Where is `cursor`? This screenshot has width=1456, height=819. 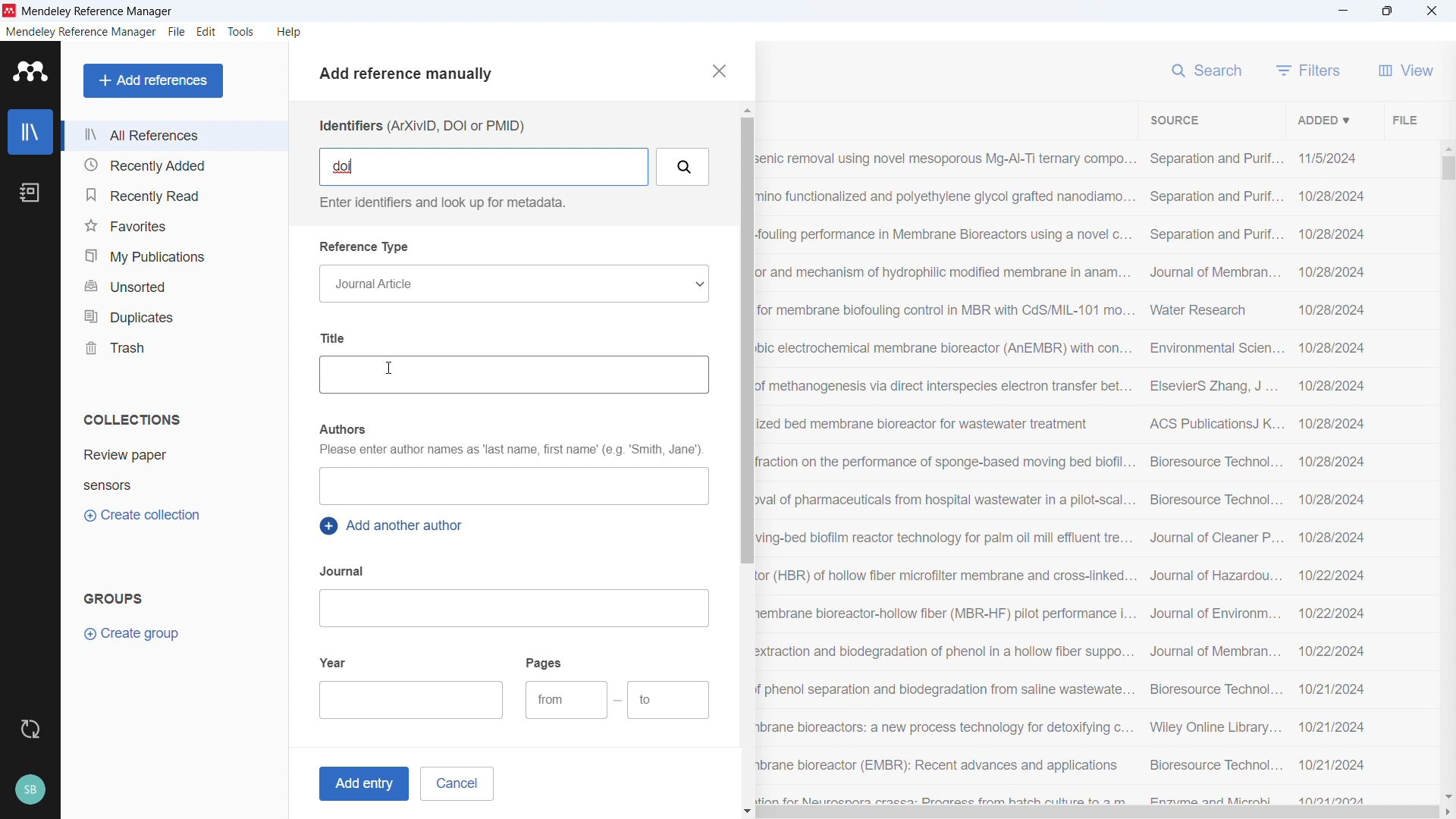
cursor is located at coordinates (390, 369).